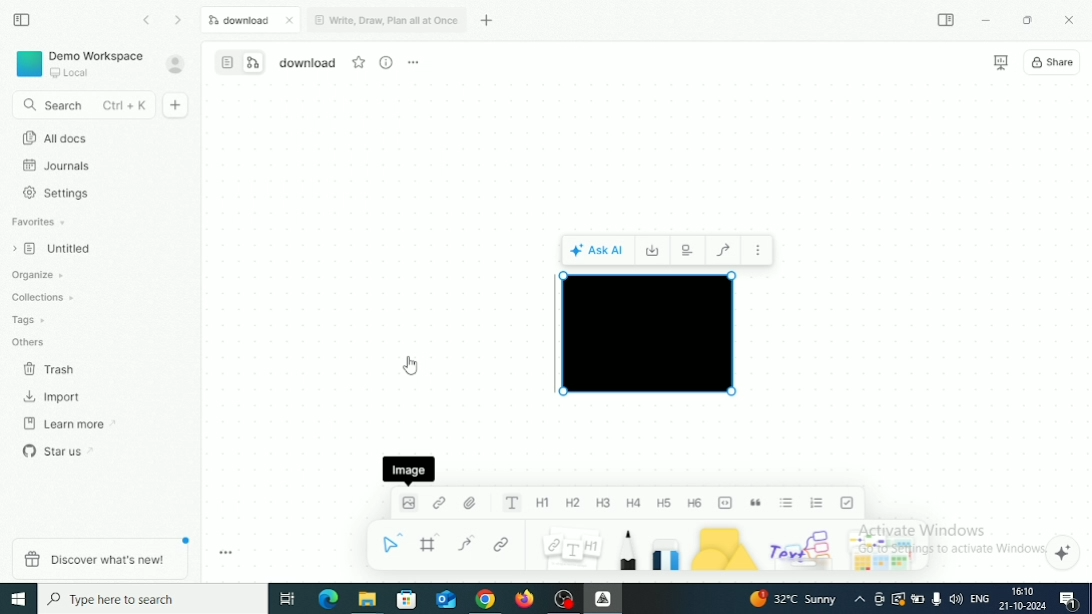 Image resolution: width=1092 pixels, height=614 pixels. What do you see at coordinates (53, 397) in the screenshot?
I see `Import` at bounding box center [53, 397].